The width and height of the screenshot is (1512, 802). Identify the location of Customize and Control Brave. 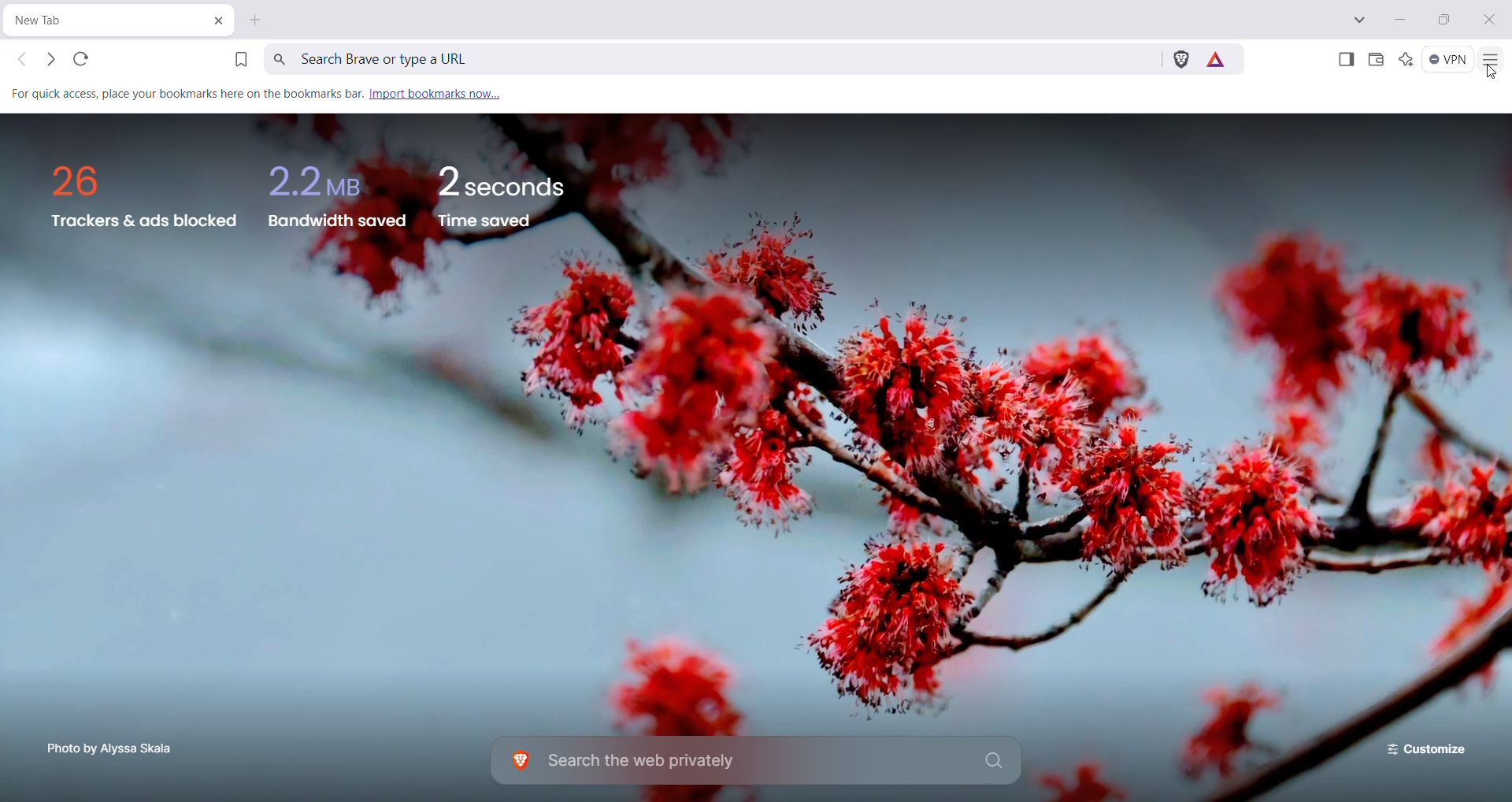
(1492, 60).